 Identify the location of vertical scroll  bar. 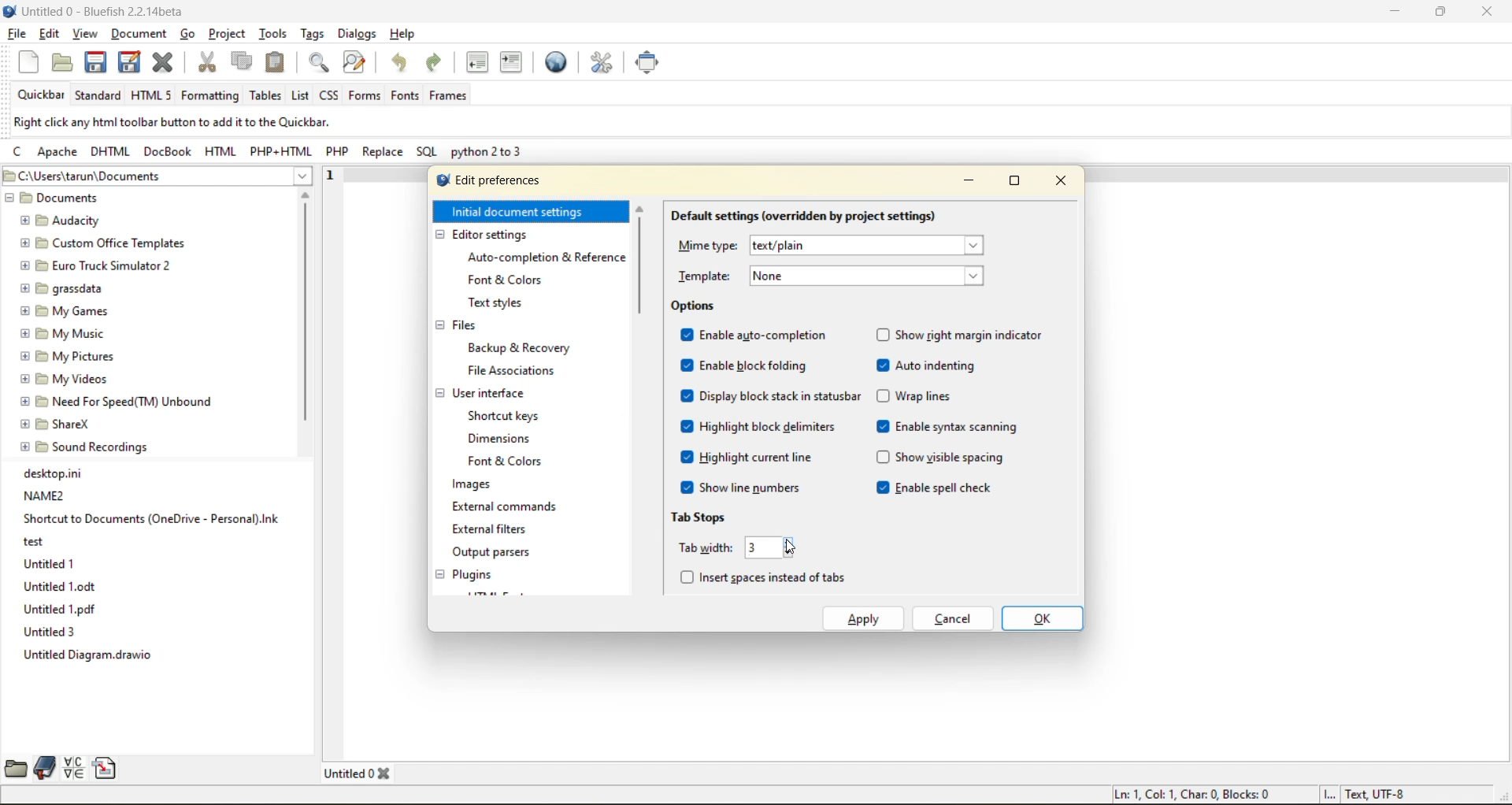
(642, 266).